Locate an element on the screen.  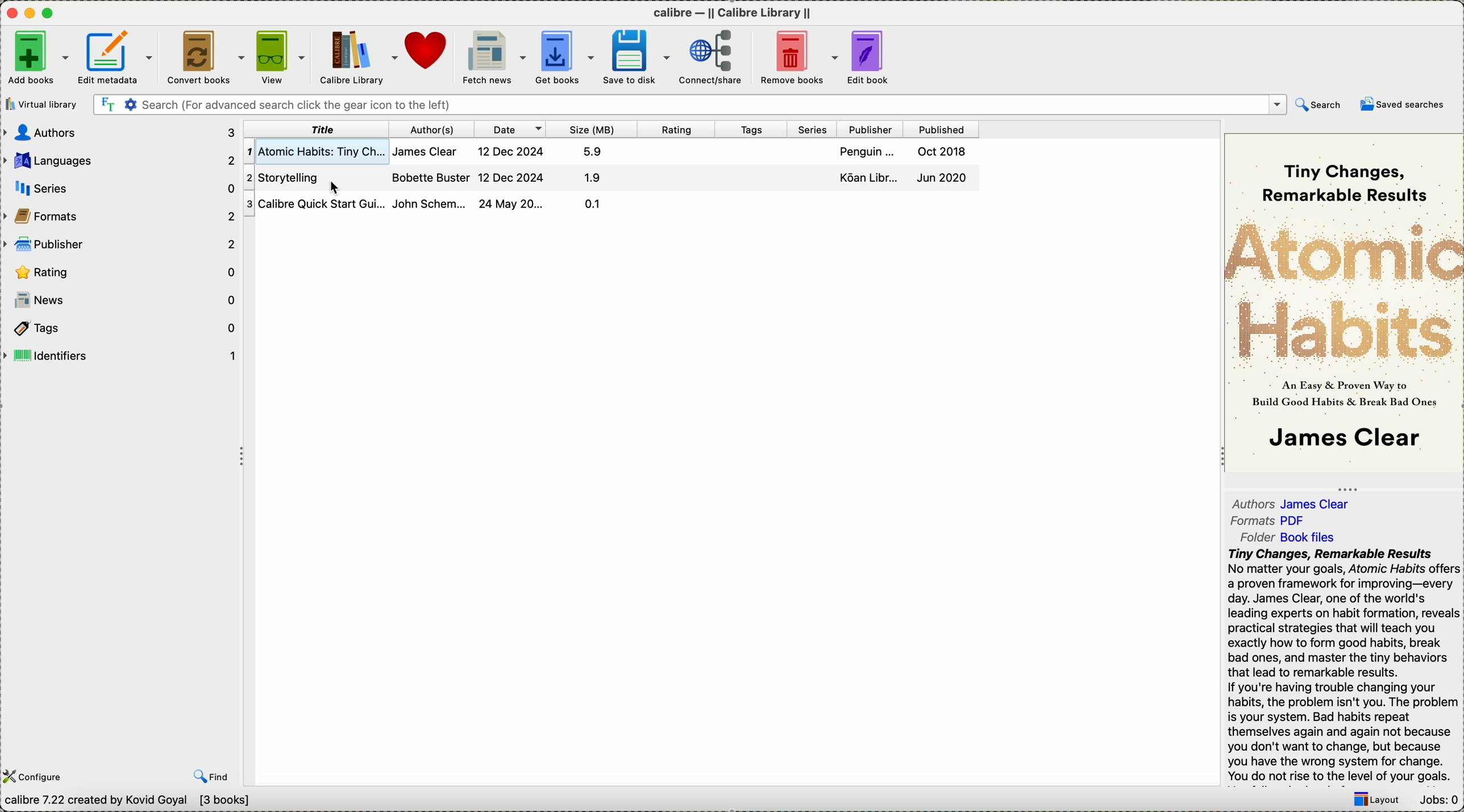
rating is located at coordinates (122, 271).